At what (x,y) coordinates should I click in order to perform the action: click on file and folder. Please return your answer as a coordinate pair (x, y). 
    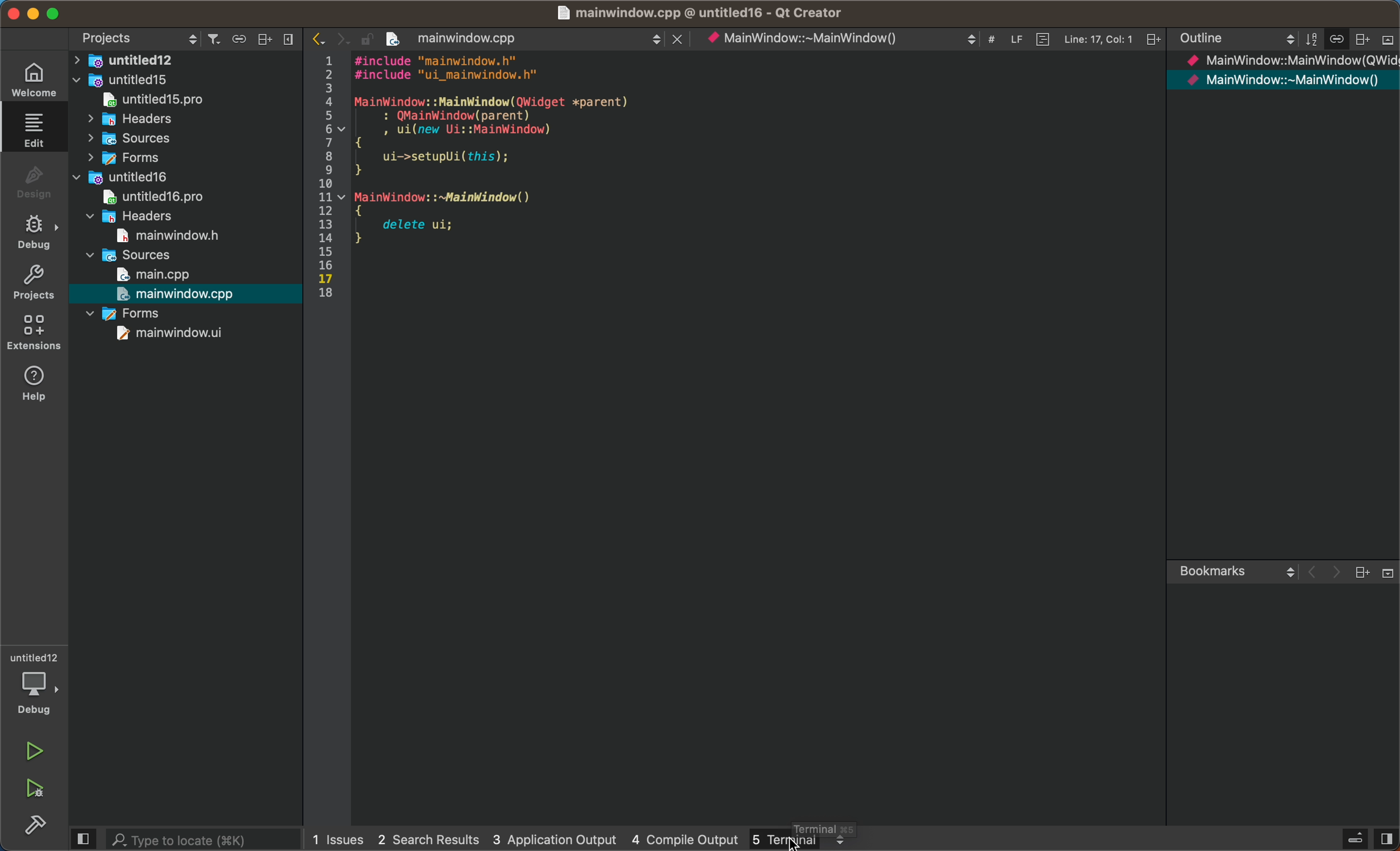
    Looking at the image, I should click on (182, 159).